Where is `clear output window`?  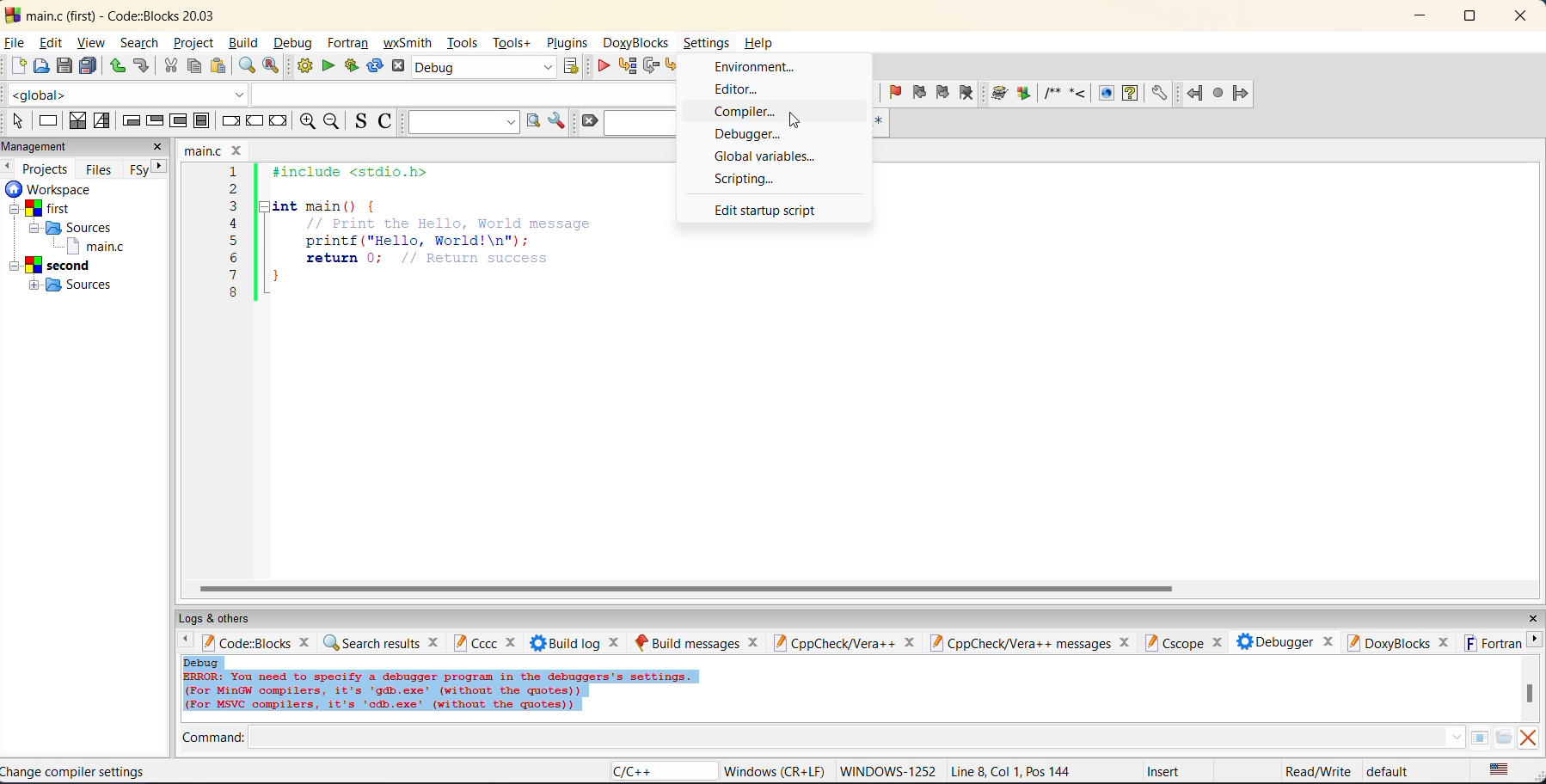
clear output window is located at coordinates (1531, 739).